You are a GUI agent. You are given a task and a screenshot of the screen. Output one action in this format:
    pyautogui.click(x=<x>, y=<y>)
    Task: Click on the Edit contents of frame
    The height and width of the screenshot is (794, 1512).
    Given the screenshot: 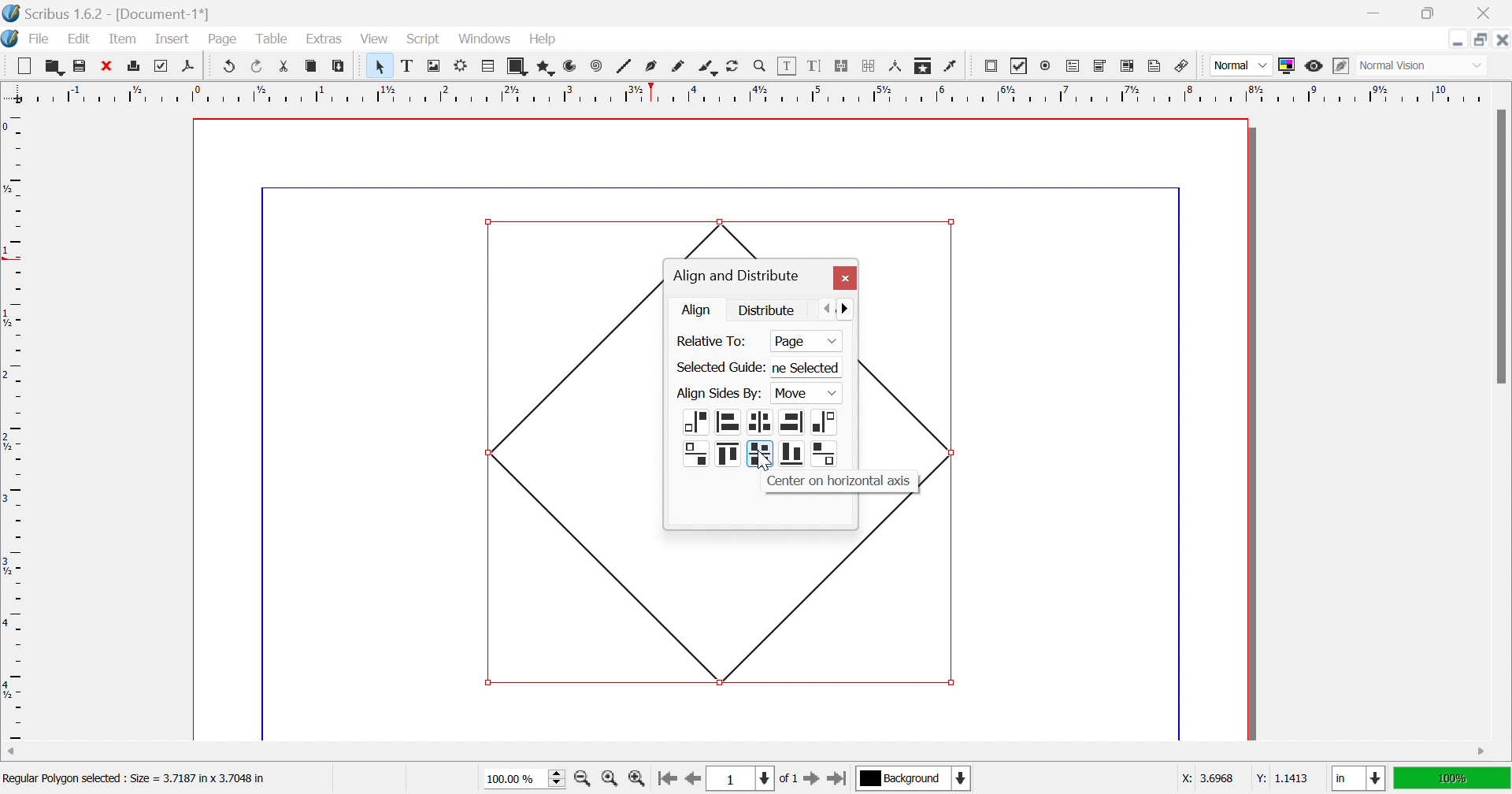 What is the action you would take?
    pyautogui.click(x=787, y=64)
    